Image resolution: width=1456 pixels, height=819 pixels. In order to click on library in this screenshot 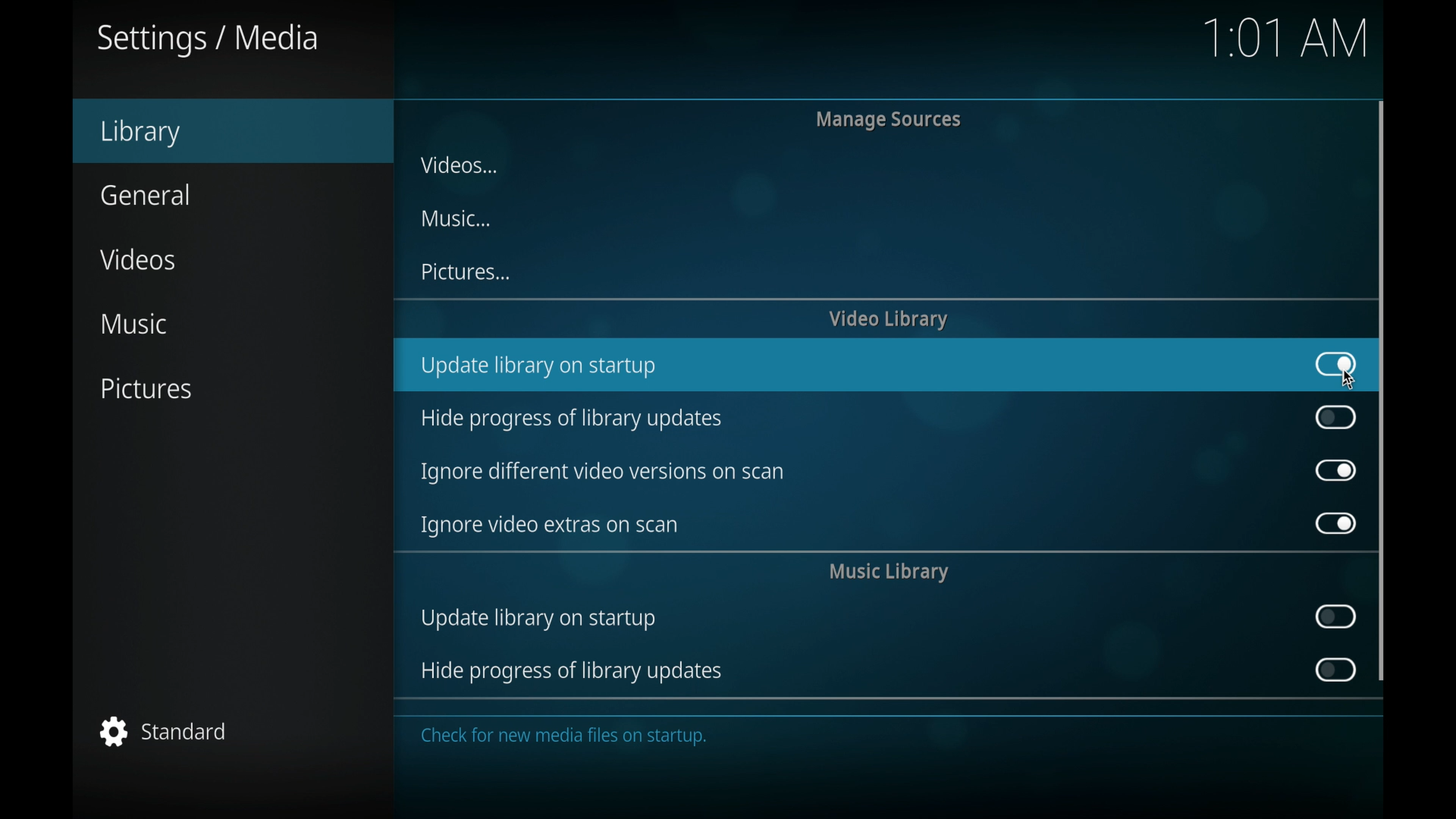, I will do `click(141, 133)`.